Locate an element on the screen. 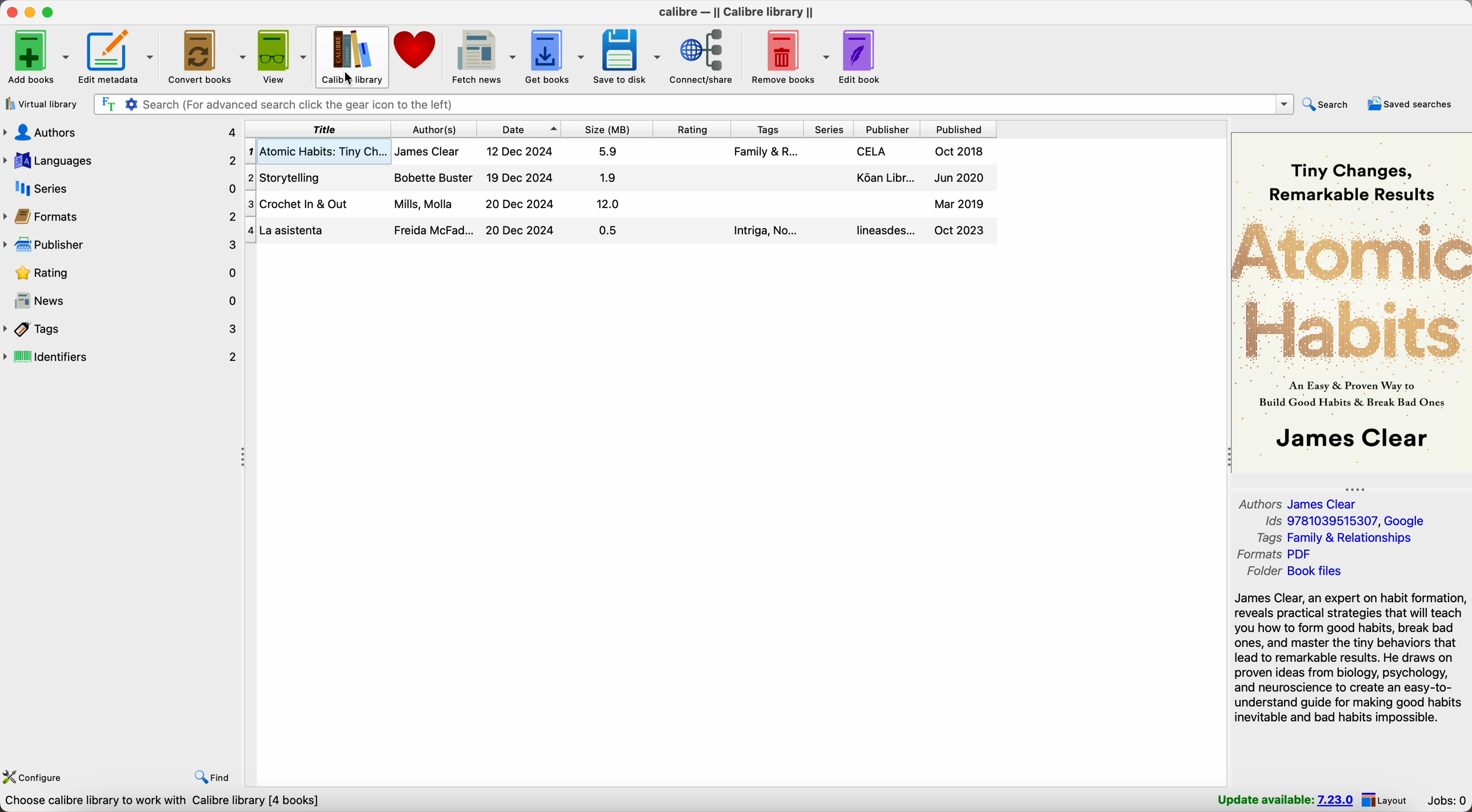 The width and height of the screenshot is (1472, 812). series is located at coordinates (122, 188).